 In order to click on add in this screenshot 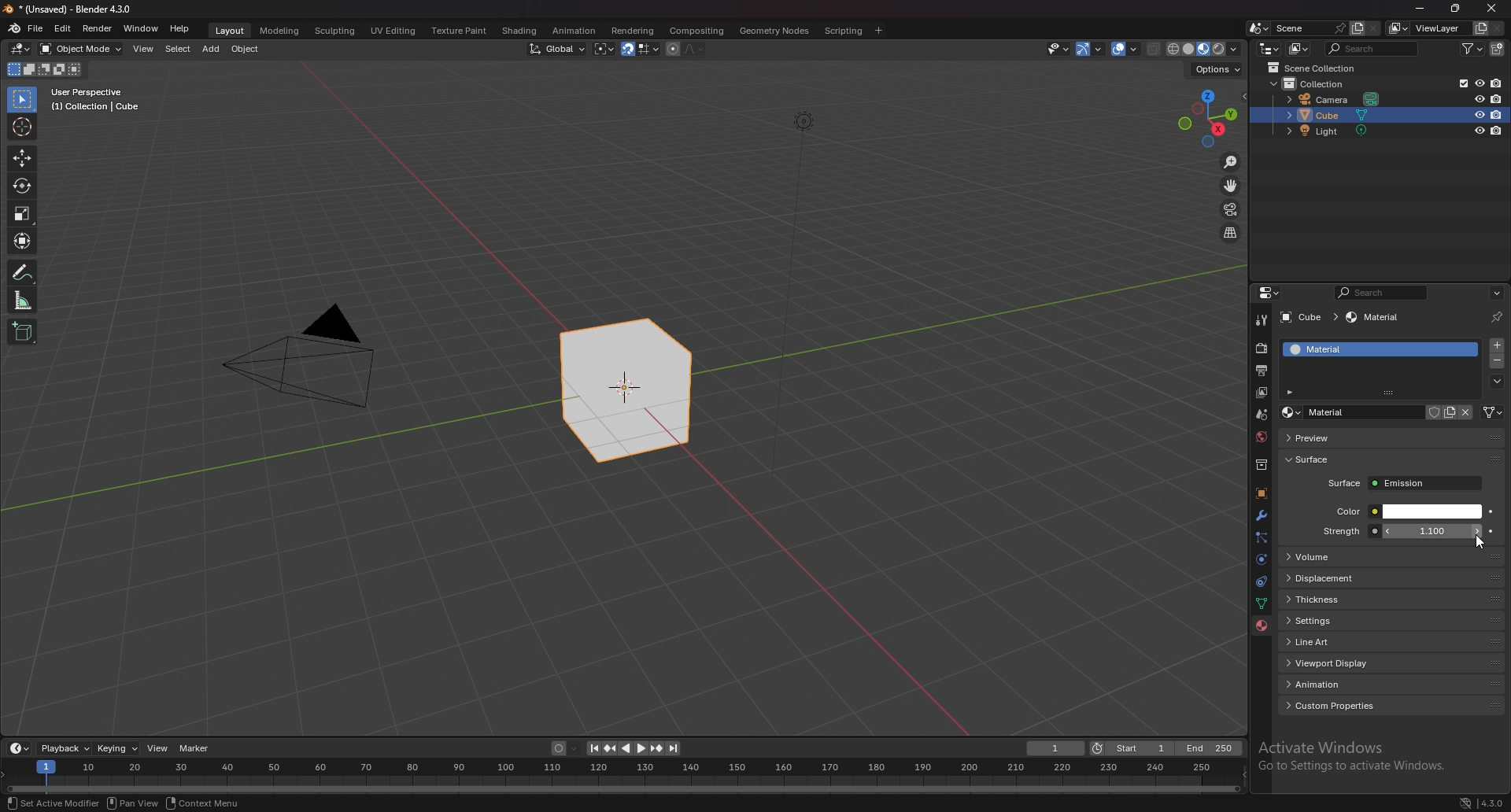, I will do `click(212, 49)`.